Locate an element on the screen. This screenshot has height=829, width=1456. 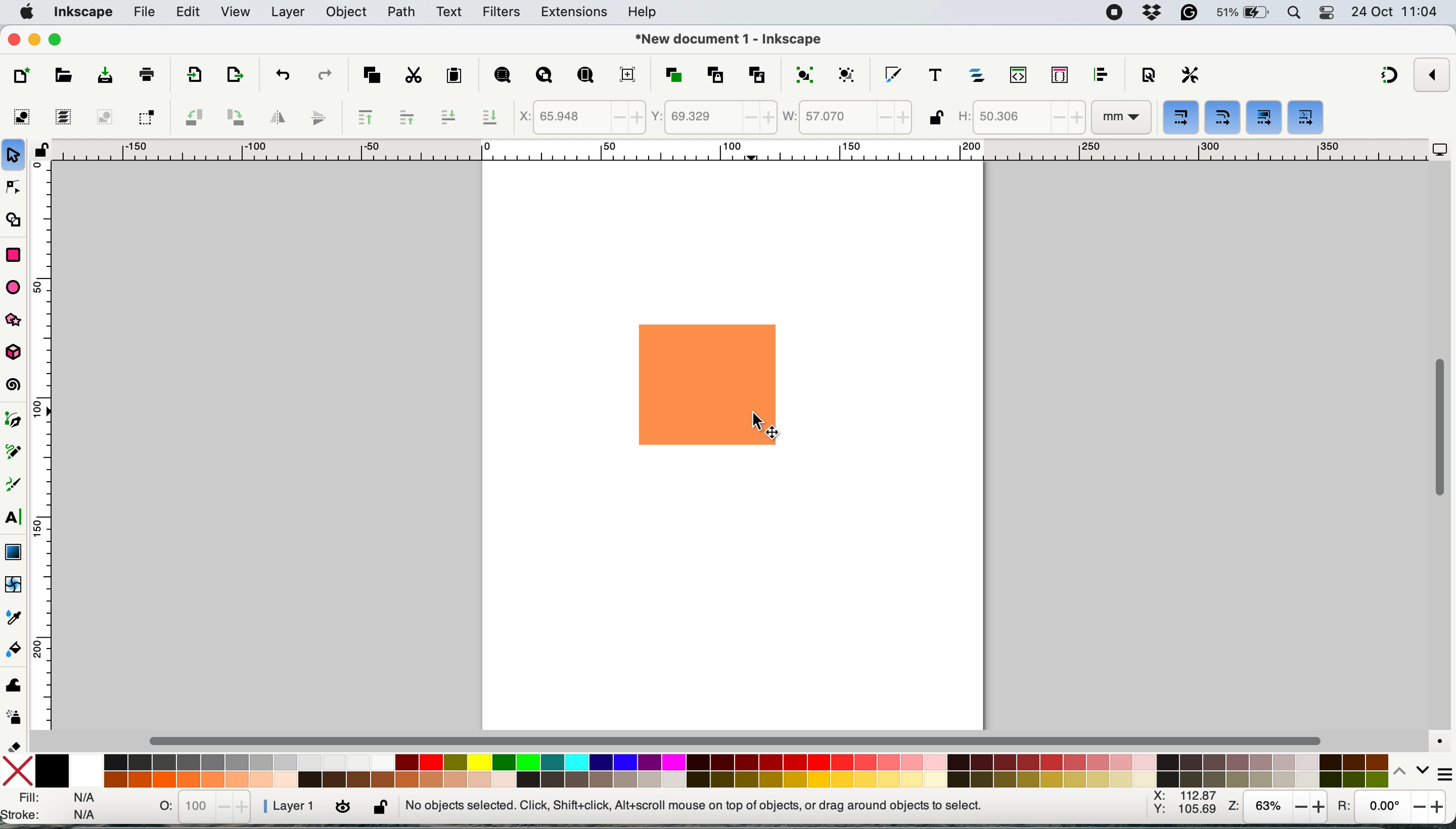
vertical scroll bar is located at coordinates (1439, 428).